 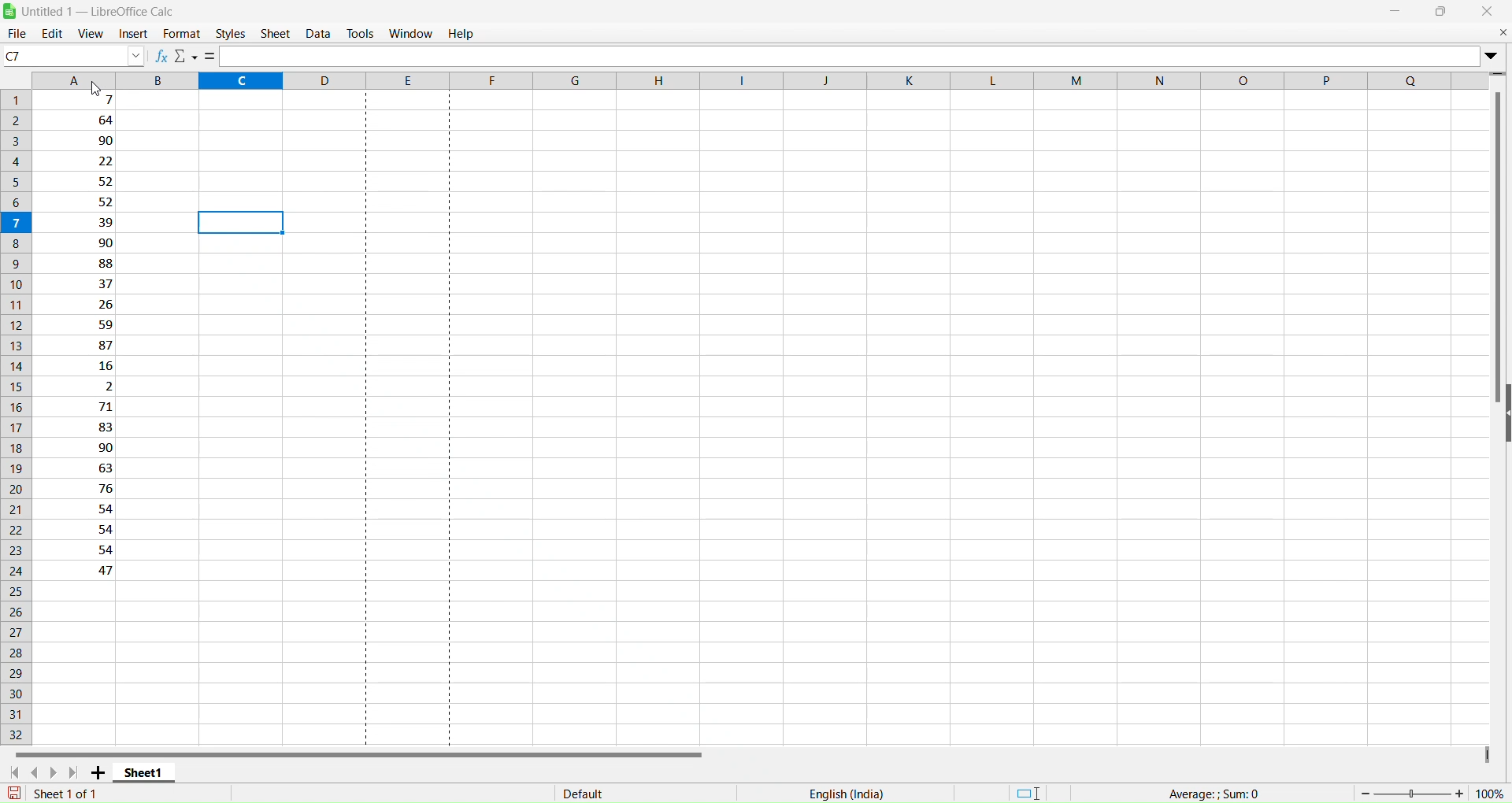 I want to click on File, so click(x=17, y=33).